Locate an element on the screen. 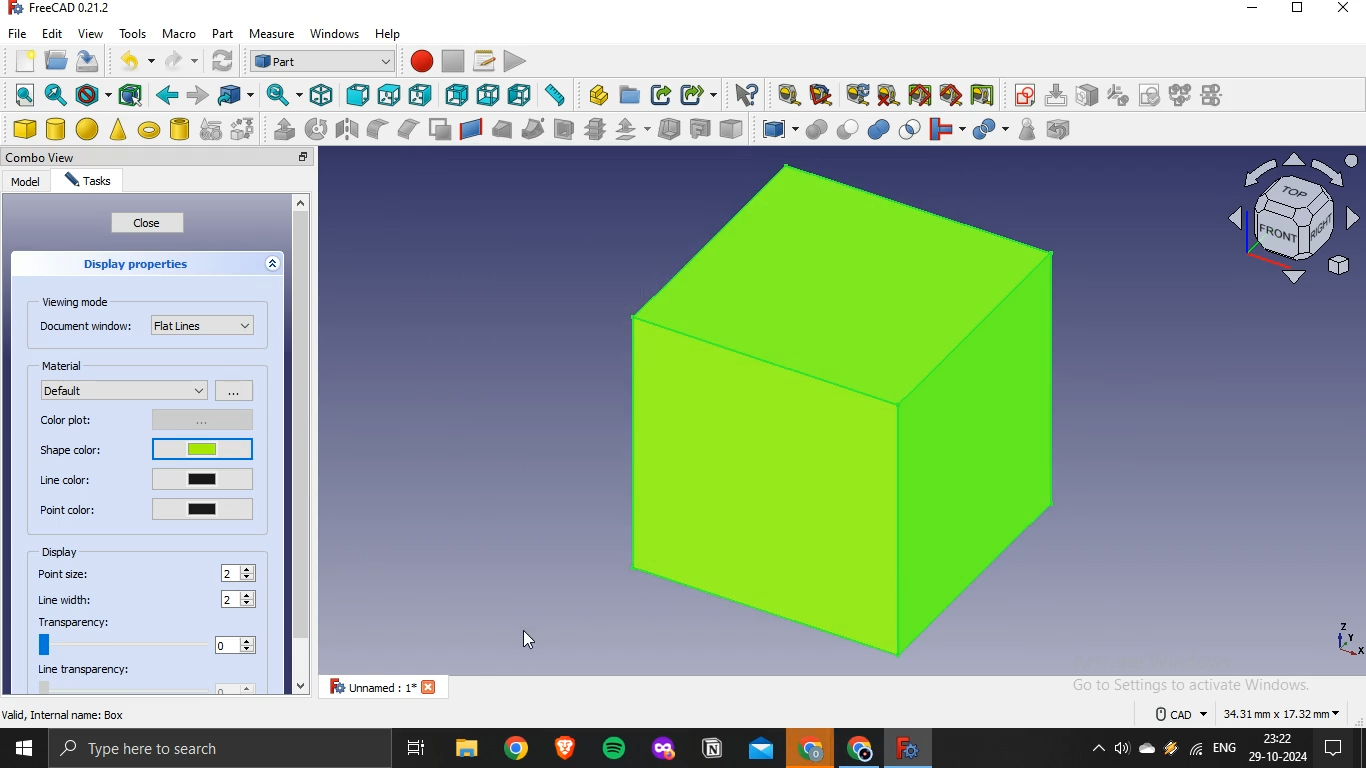  spotify is located at coordinates (616, 750).